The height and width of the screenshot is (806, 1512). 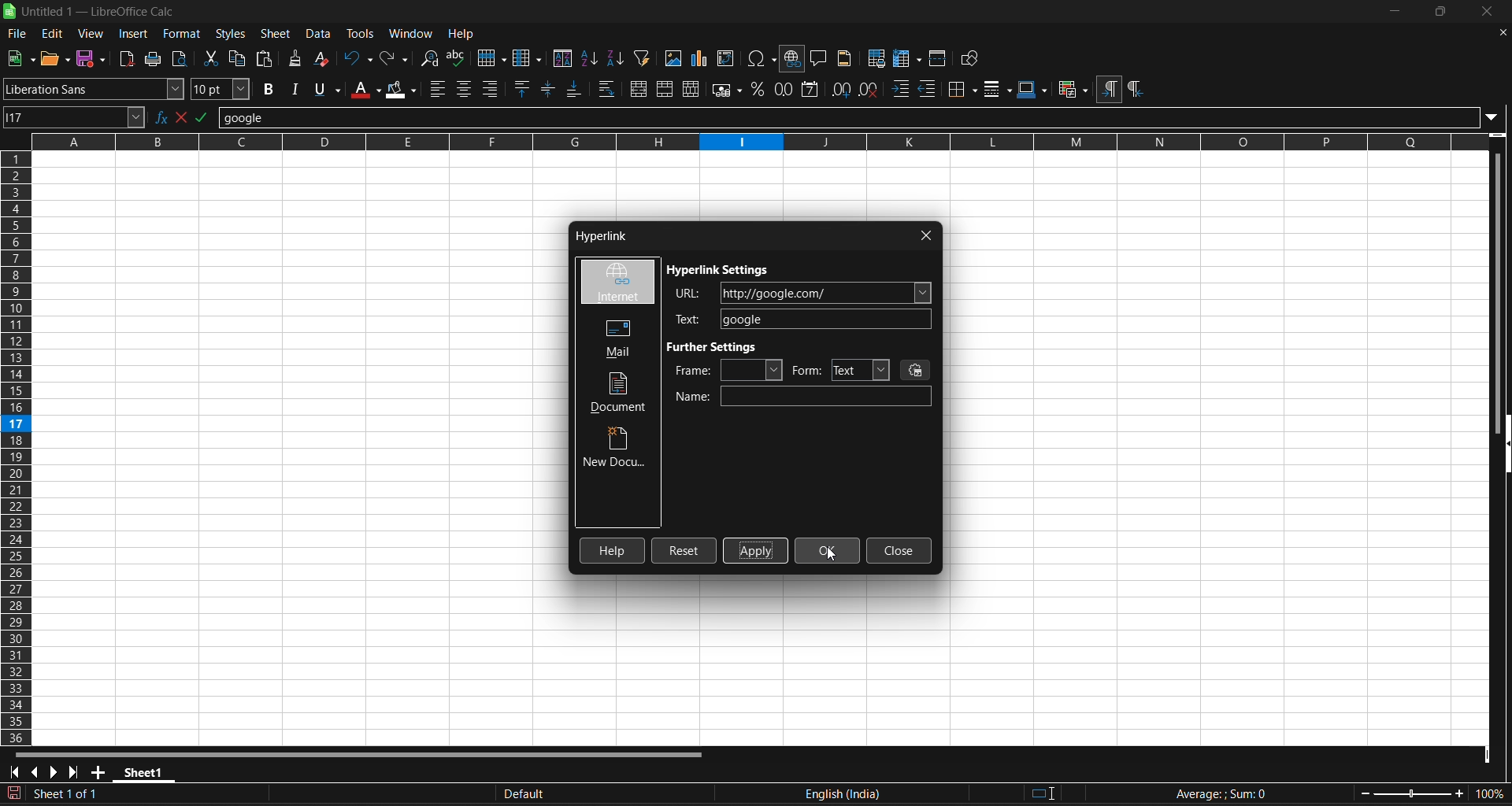 I want to click on function wizard, so click(x=162, y=117).